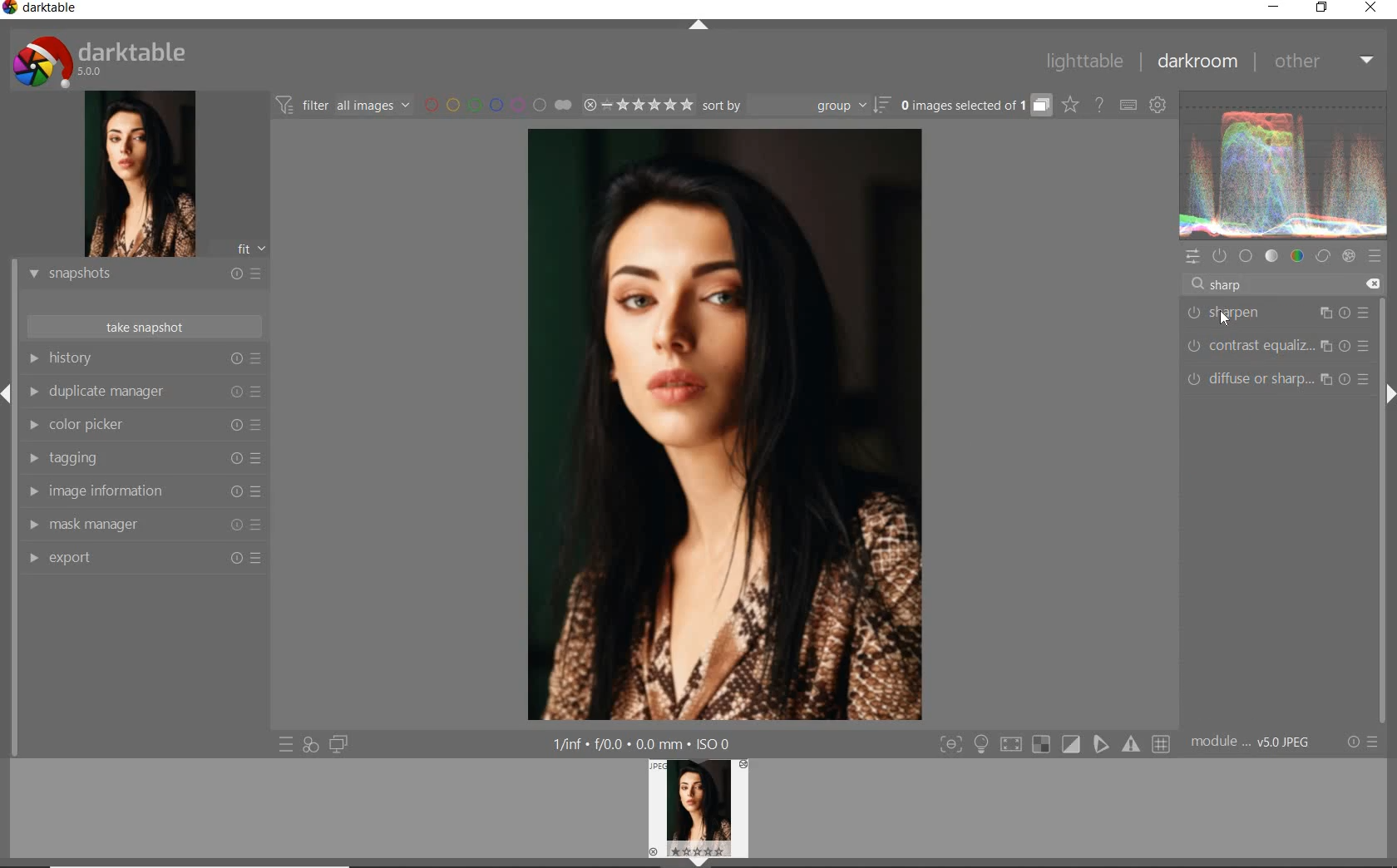 The height and width of the screenshot is (868, 1397). I want to click on image information, so click(143, 491).